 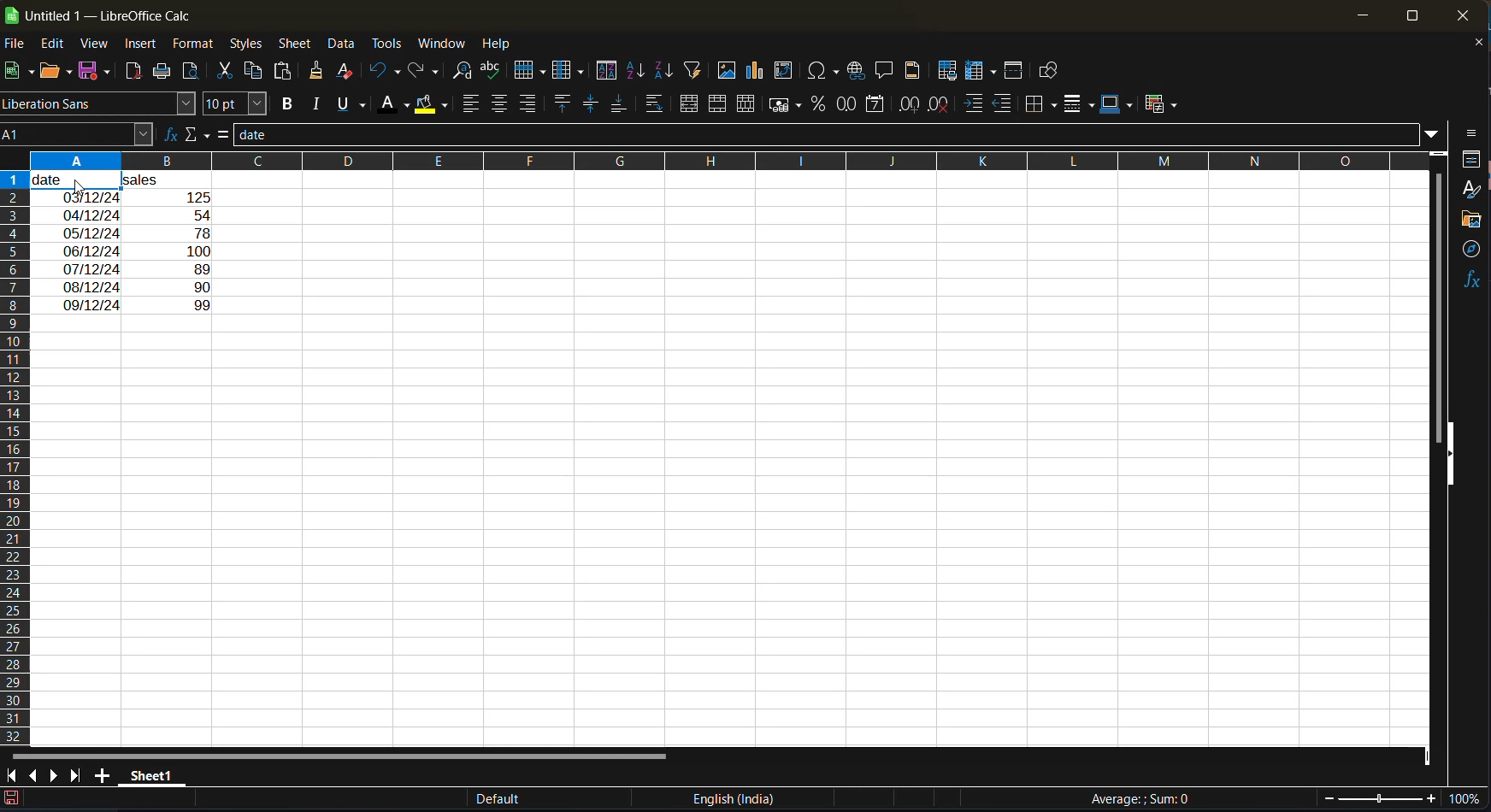 What do you see at coordinates (239, 104) in the screenshot?
I see `font size` at bounding box center [239, 104].